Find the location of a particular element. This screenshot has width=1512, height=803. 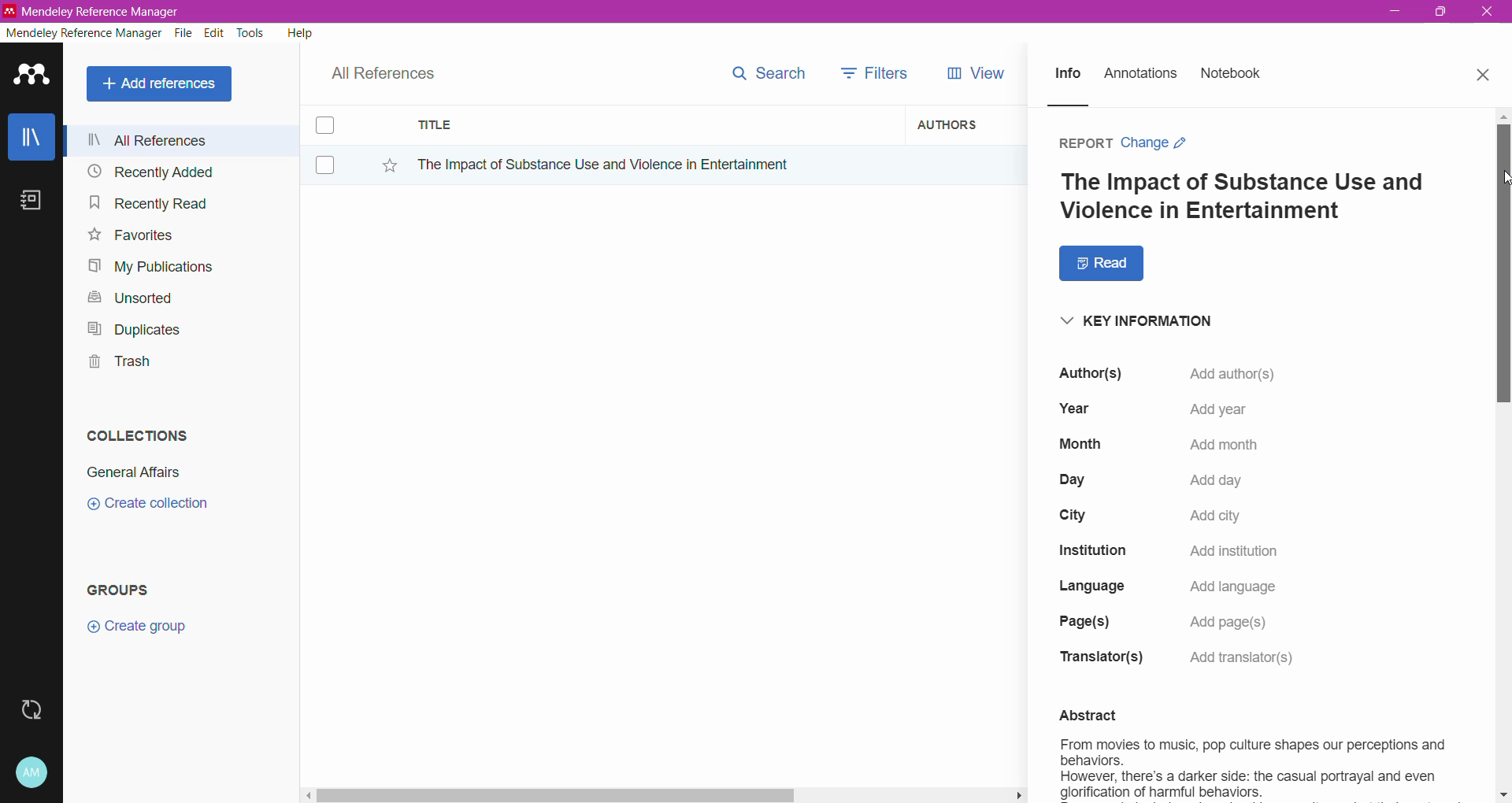

report is located at coordinates (1082, 144).